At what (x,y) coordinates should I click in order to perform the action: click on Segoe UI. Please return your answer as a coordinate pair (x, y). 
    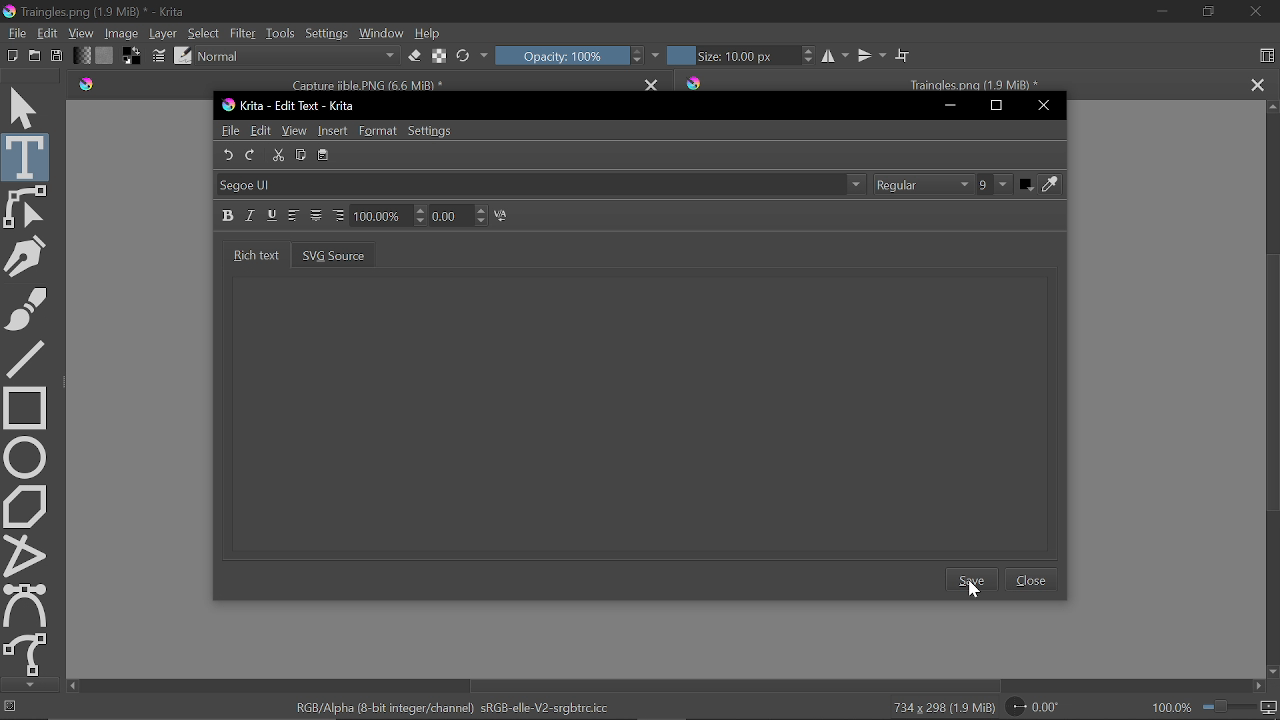
    Looking at the image, I should click on (543, 185).